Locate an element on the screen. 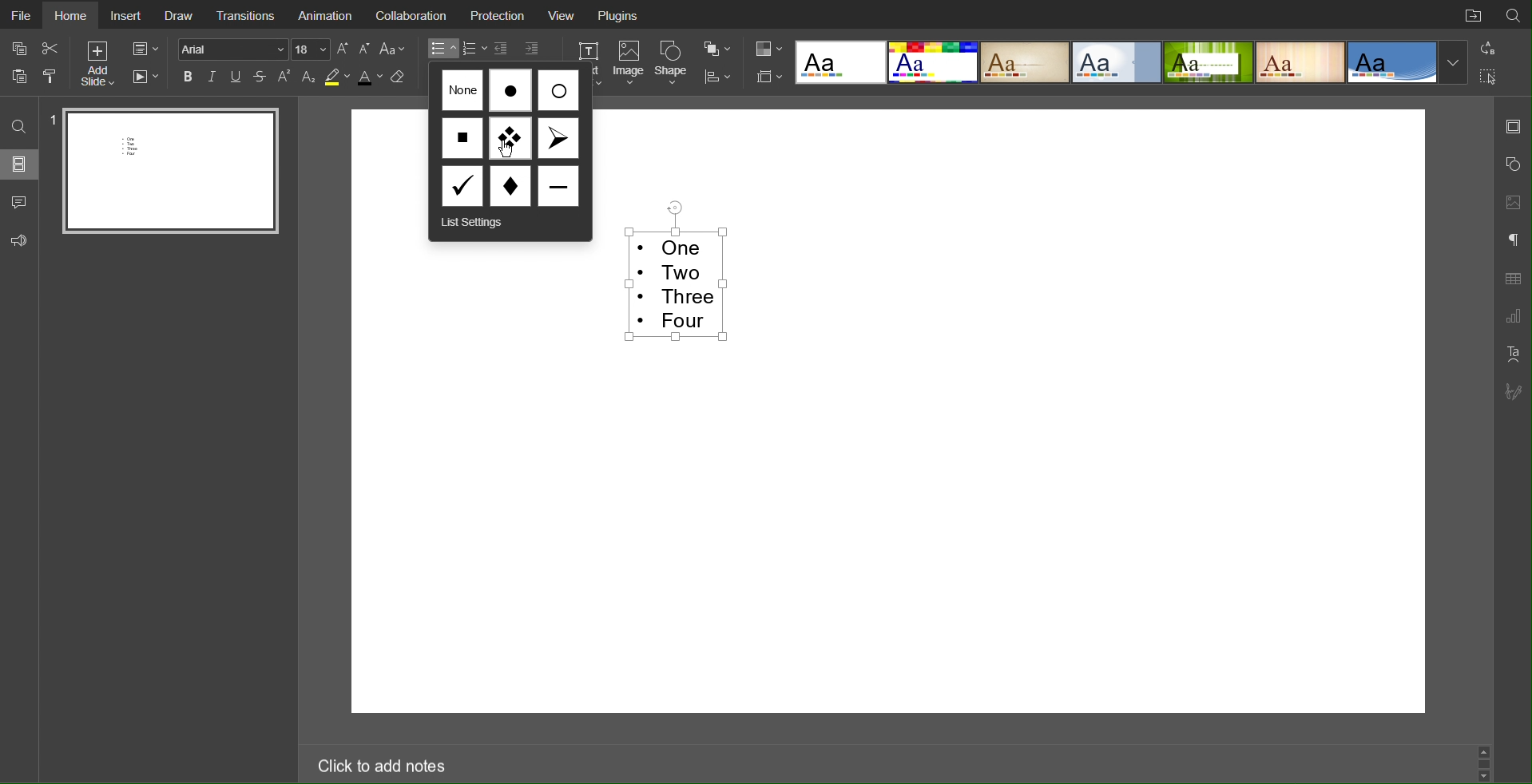  Templates is located at coordinates (1130, 60).